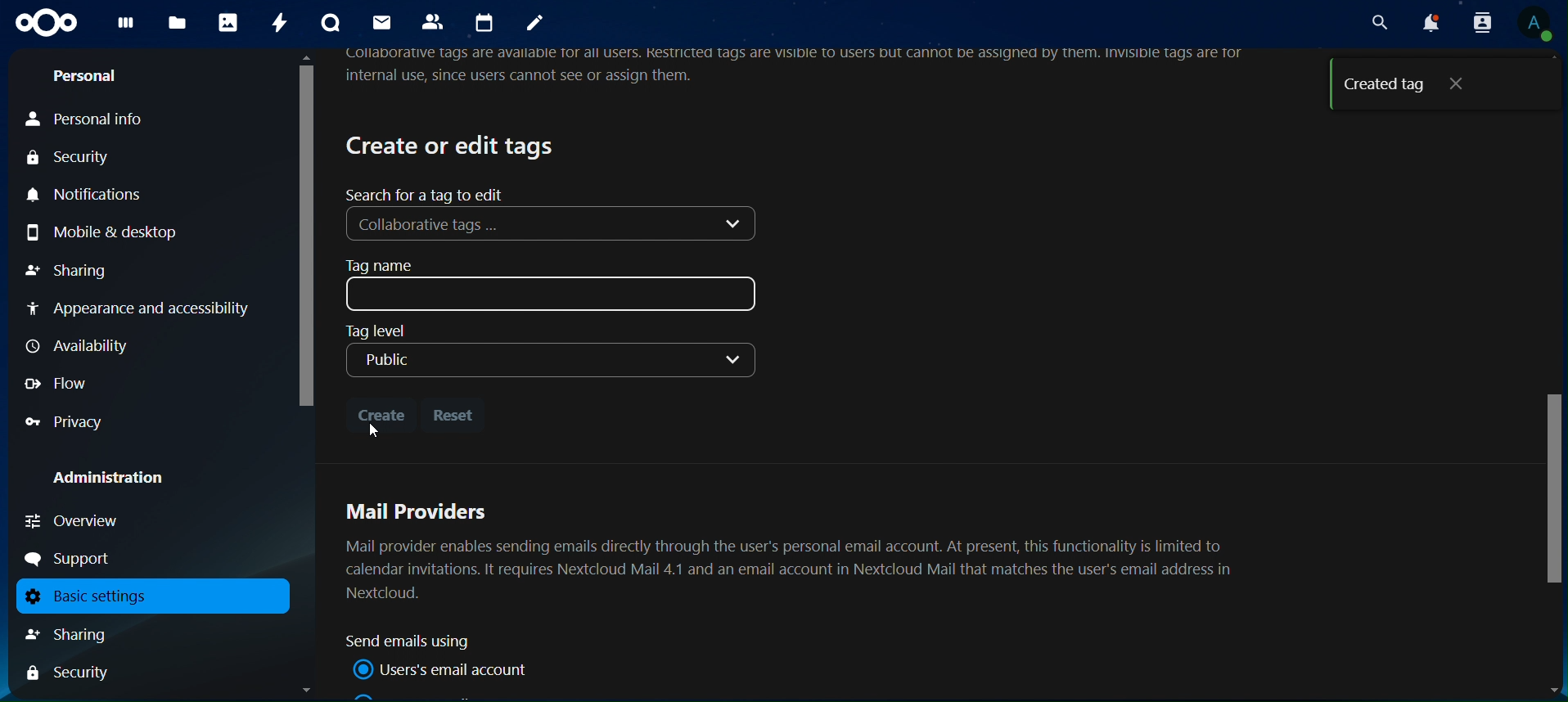  What do you see at coordinates (552, 225) in the screenshot?
I see `Collaborative tags ... ` at bounding box center [552, 225].